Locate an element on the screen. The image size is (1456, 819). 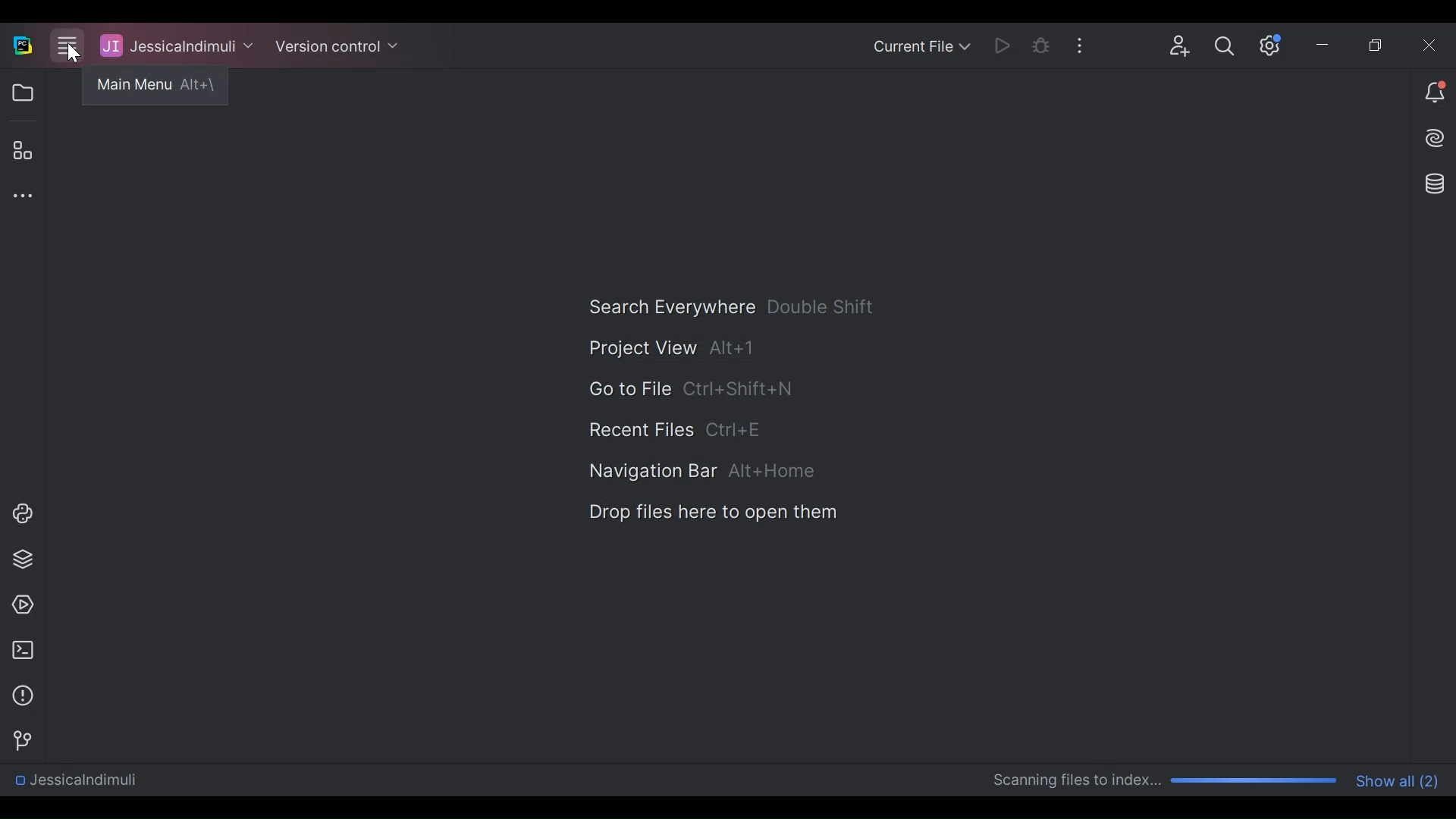
Version Control is located at coordinates (336, 46).